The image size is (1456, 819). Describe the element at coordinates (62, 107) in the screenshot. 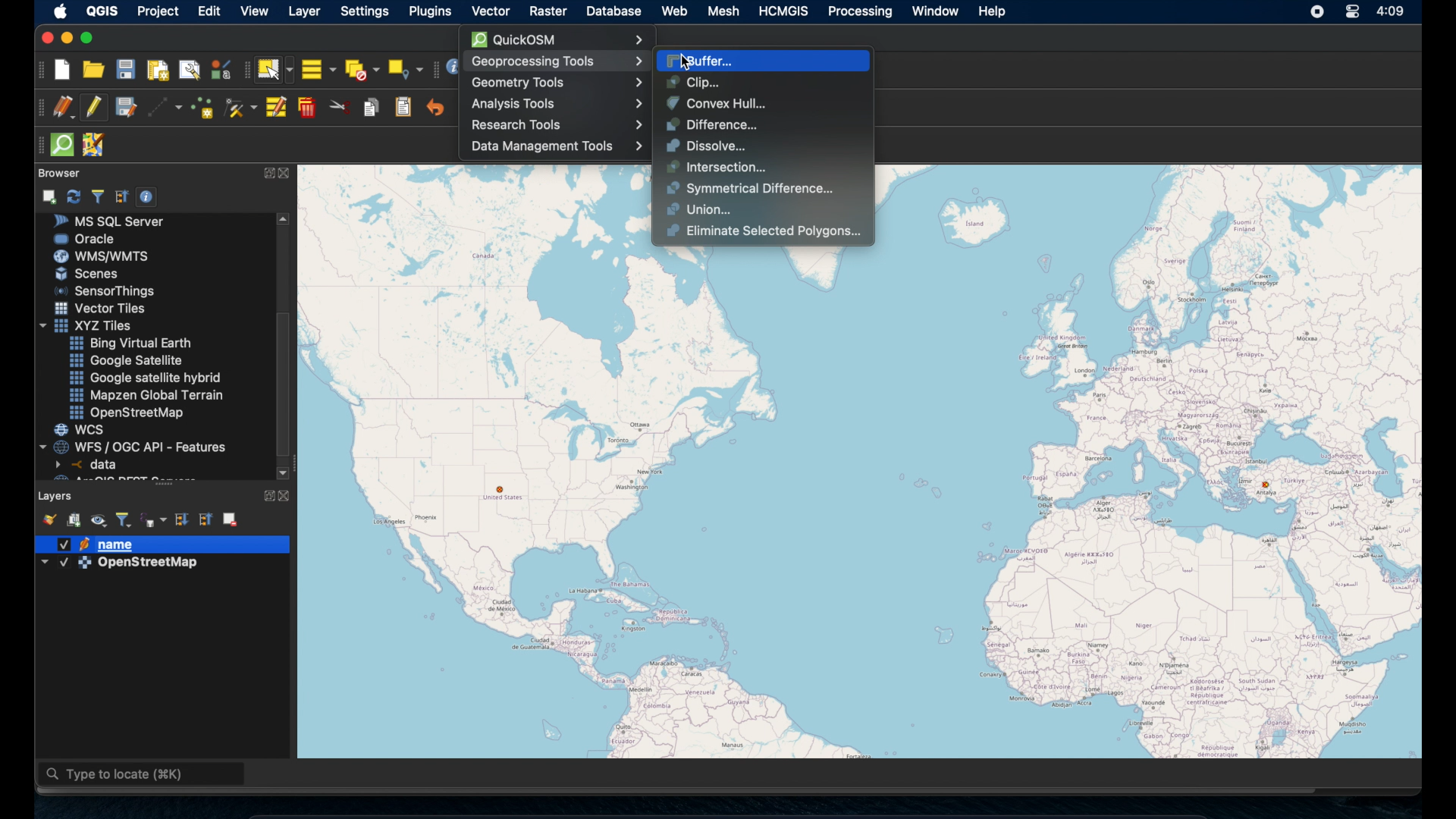

I see `current edits` at that location.